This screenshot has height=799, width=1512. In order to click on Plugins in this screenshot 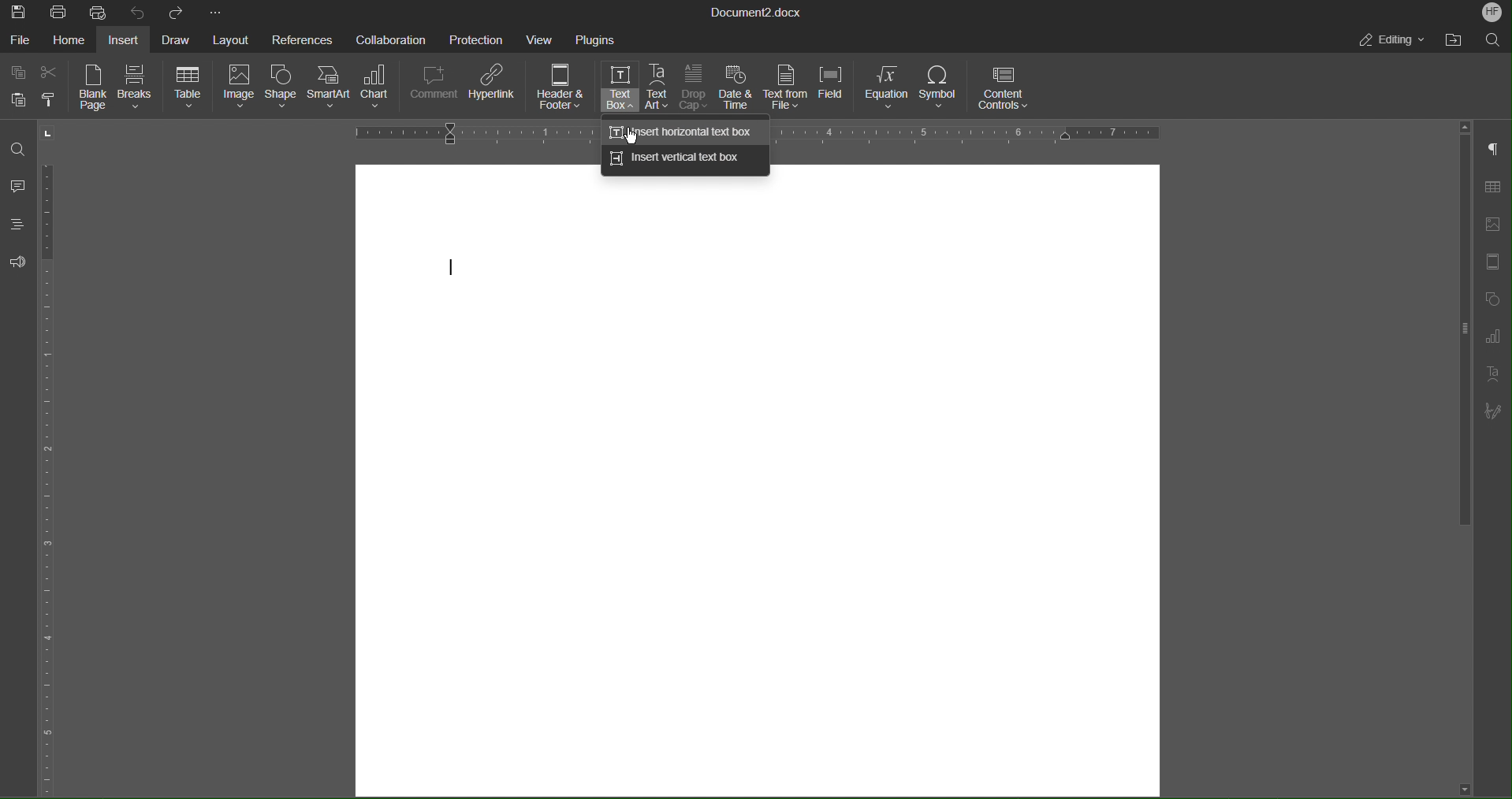, I will do `click(596, 38)`.